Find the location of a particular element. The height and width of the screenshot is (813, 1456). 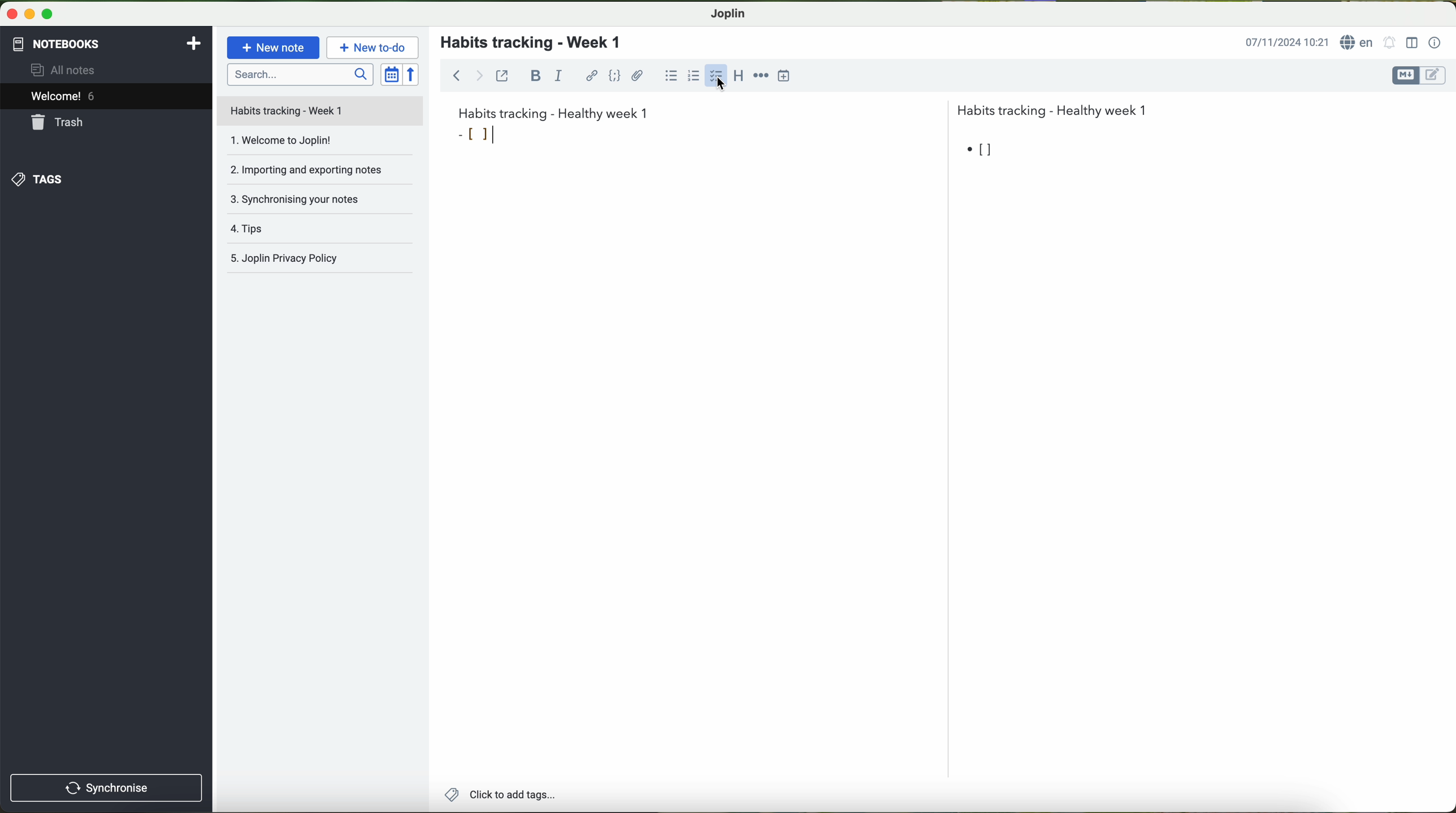

reverse sort order is located at coordinates (412, 74).